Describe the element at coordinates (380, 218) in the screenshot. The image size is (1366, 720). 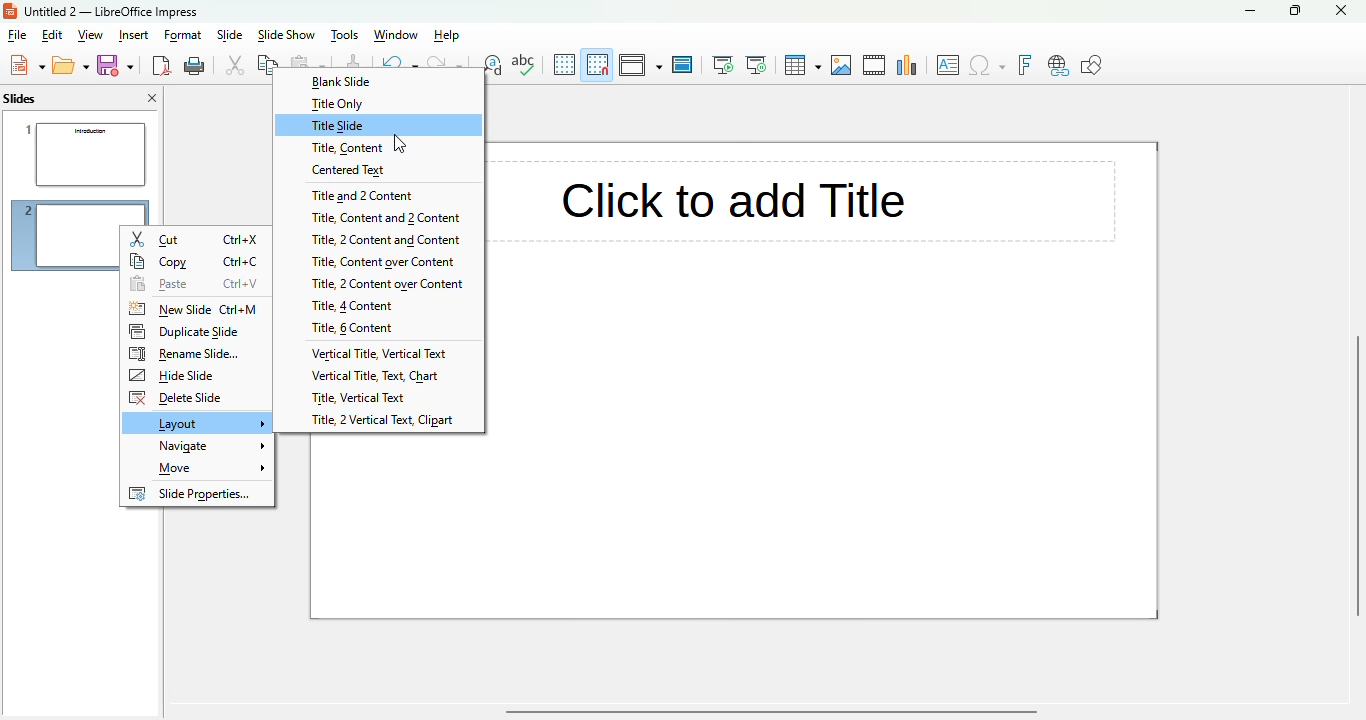
I see `title, content and 2 content` at that location.